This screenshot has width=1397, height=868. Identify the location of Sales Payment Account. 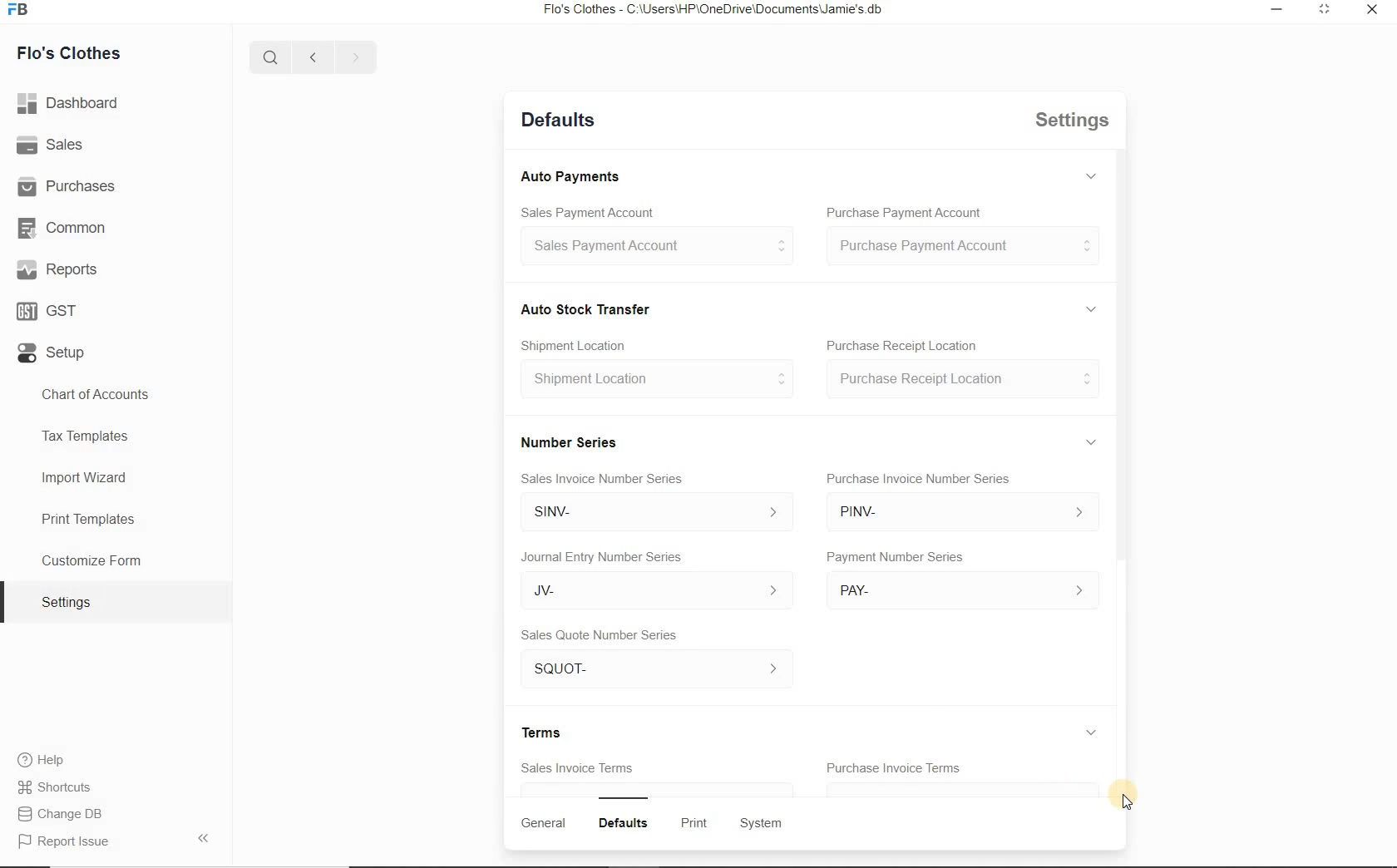
(586, 210).